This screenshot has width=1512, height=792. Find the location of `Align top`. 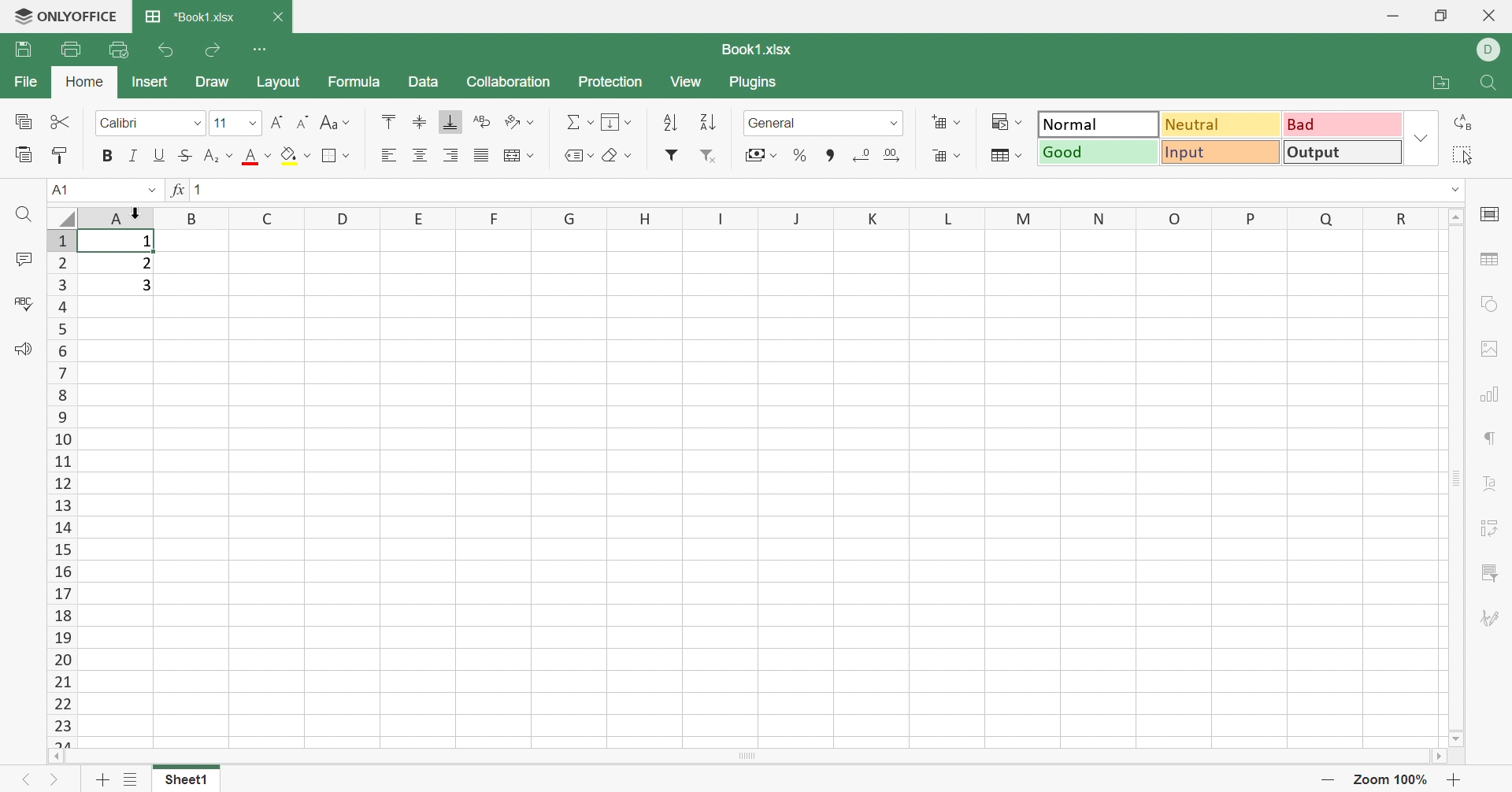

Align top is located at coordinates (388, 120).